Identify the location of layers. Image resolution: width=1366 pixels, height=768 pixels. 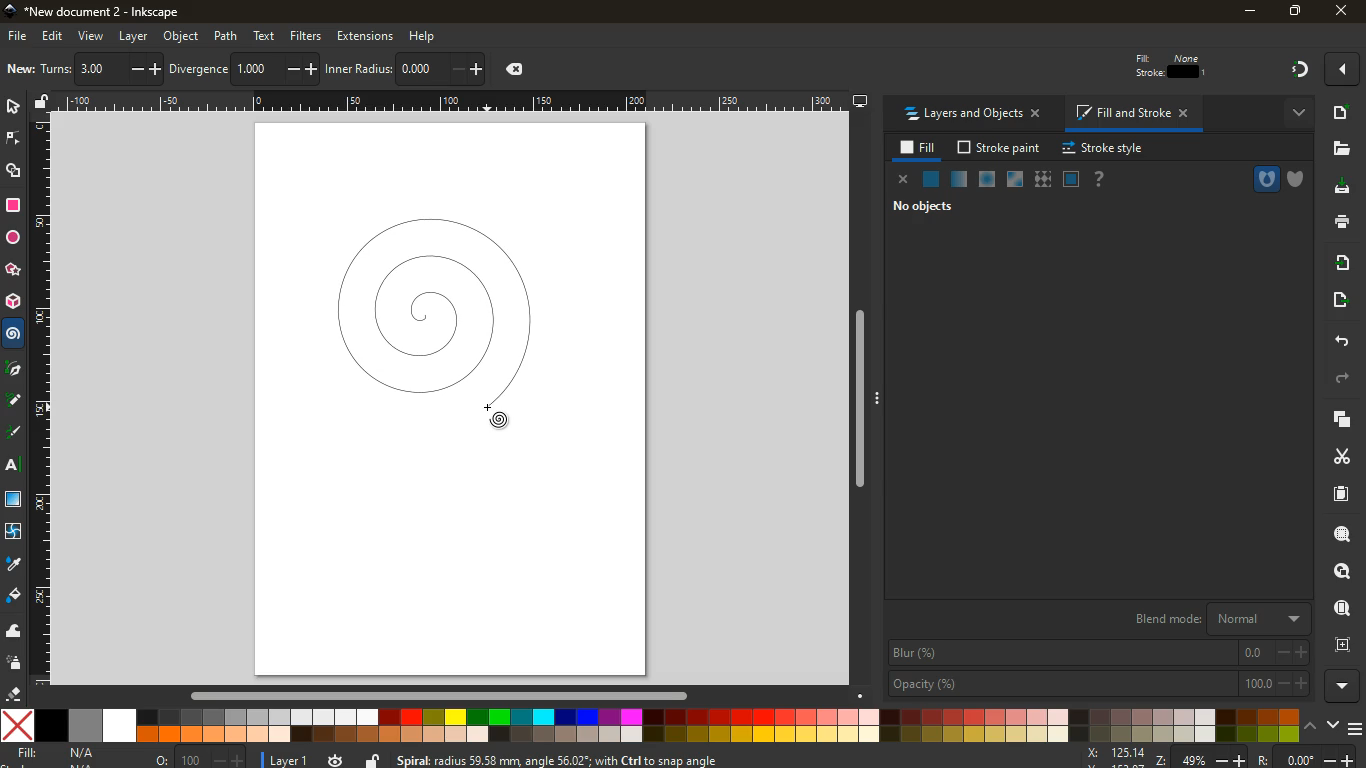
(58, 71).